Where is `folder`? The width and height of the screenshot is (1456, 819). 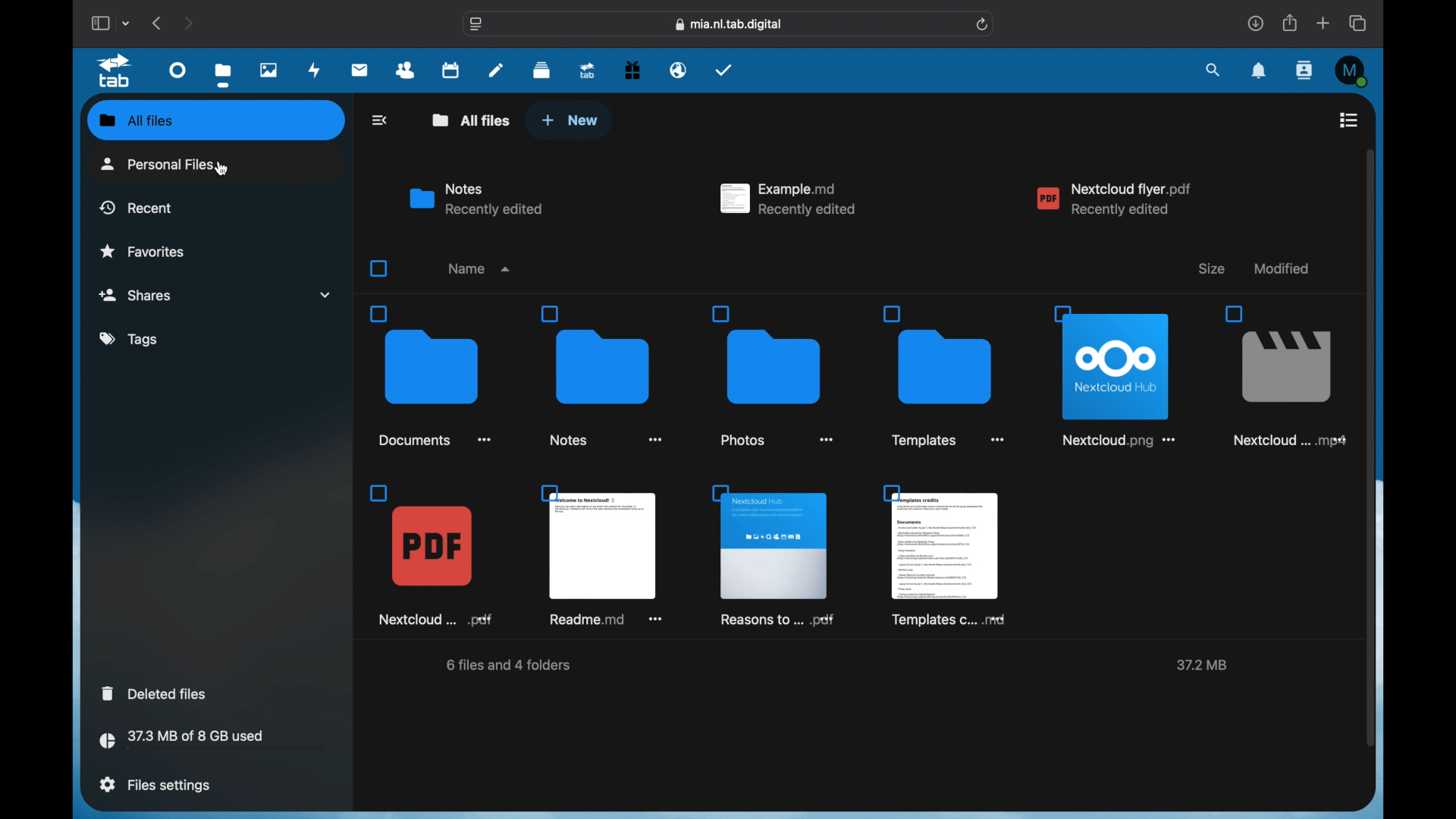
folder is located at coordinates (431, 376).